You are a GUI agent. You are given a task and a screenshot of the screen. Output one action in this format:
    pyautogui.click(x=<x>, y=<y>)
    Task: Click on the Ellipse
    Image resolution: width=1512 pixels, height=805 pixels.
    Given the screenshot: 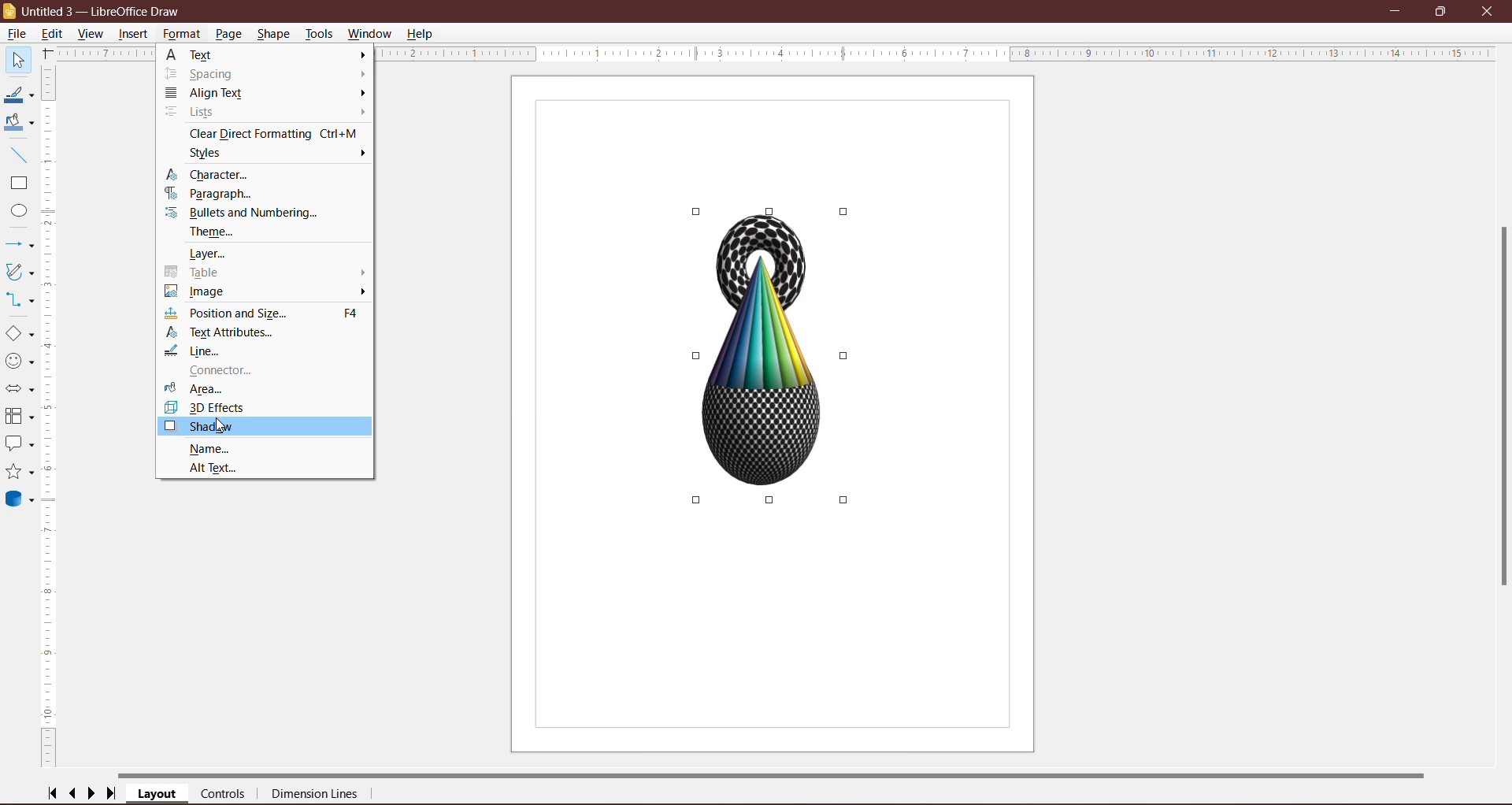 What is the action you would take?
    pyautogui.click(x=16, y=210)
    